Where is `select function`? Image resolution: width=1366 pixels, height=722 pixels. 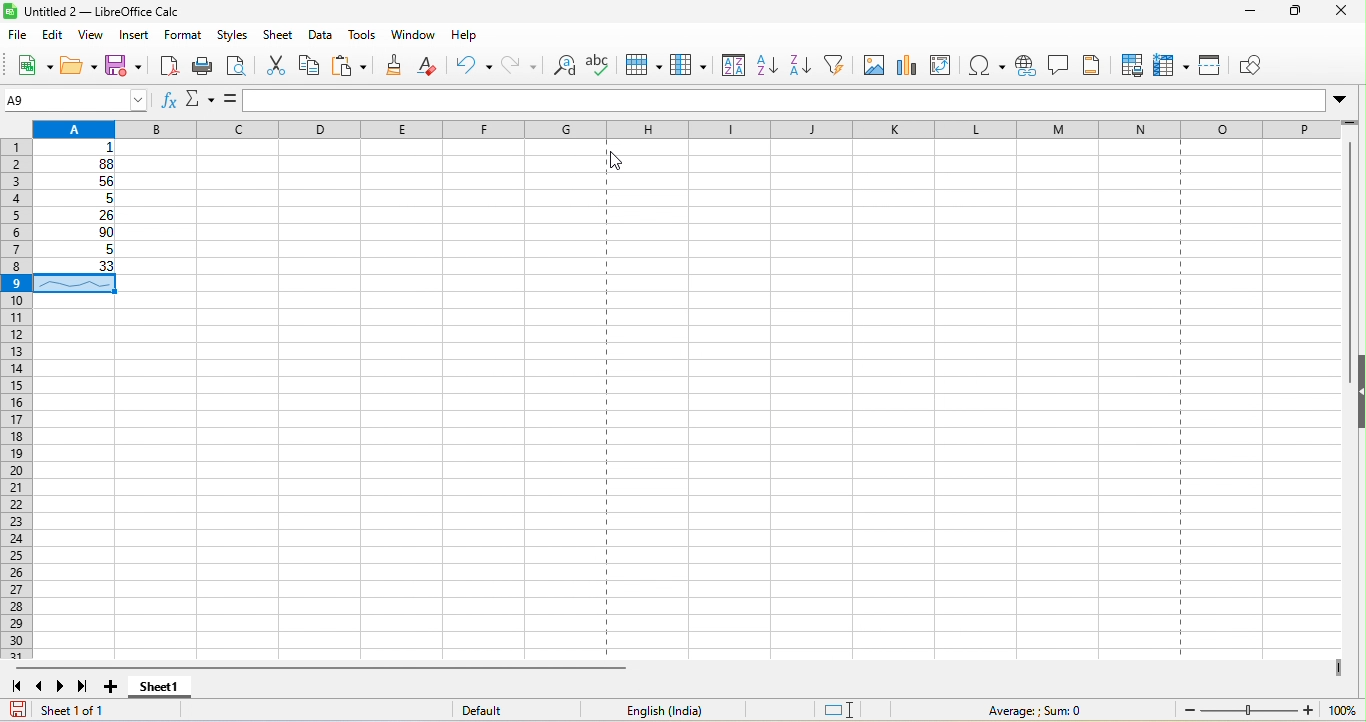 select function is located at coordinates (201, 99).